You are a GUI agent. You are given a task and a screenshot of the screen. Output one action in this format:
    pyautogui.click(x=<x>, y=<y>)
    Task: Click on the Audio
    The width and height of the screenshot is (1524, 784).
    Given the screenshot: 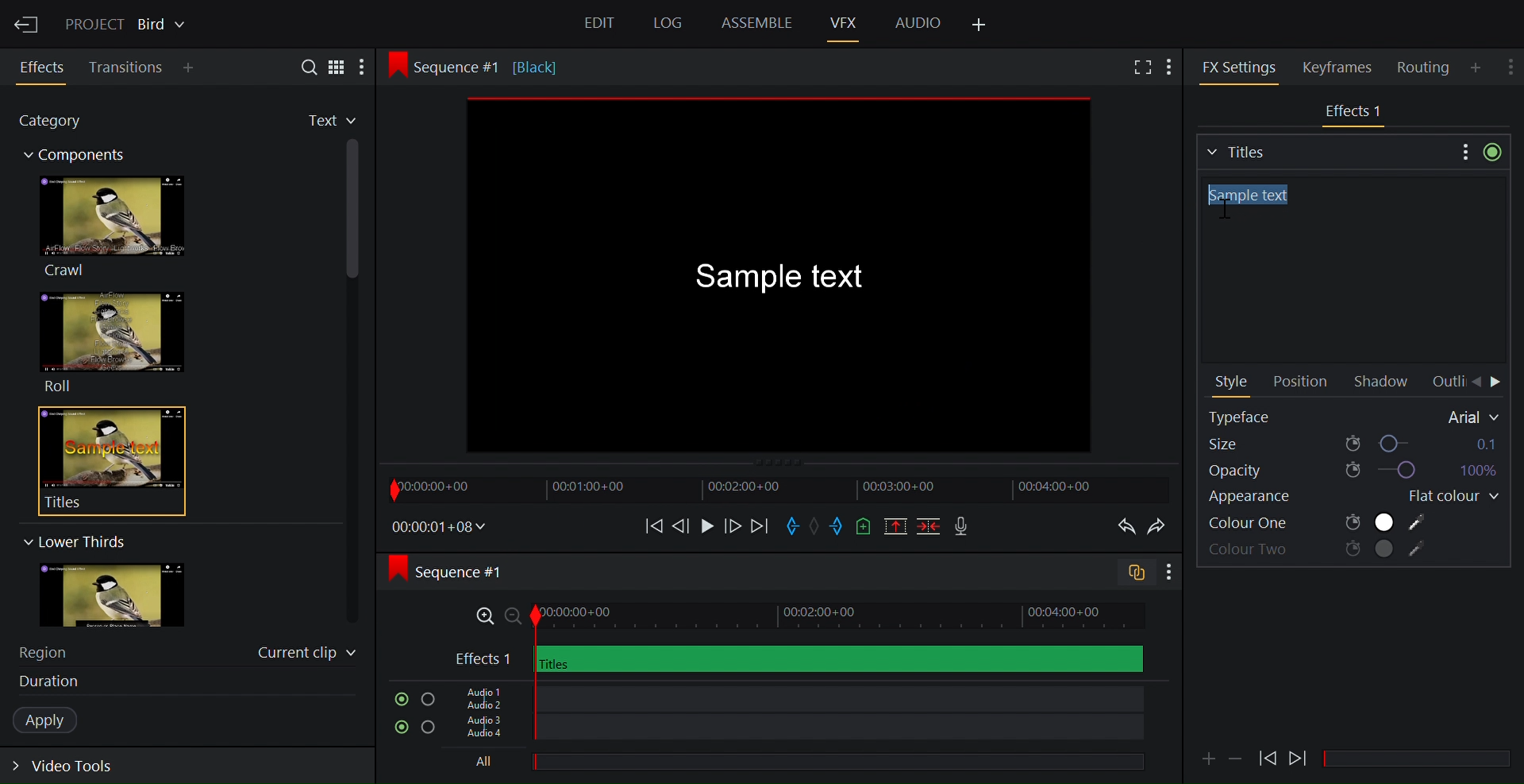 What is the action you would take?
    pyautogui.click(x=918, y=21)
    